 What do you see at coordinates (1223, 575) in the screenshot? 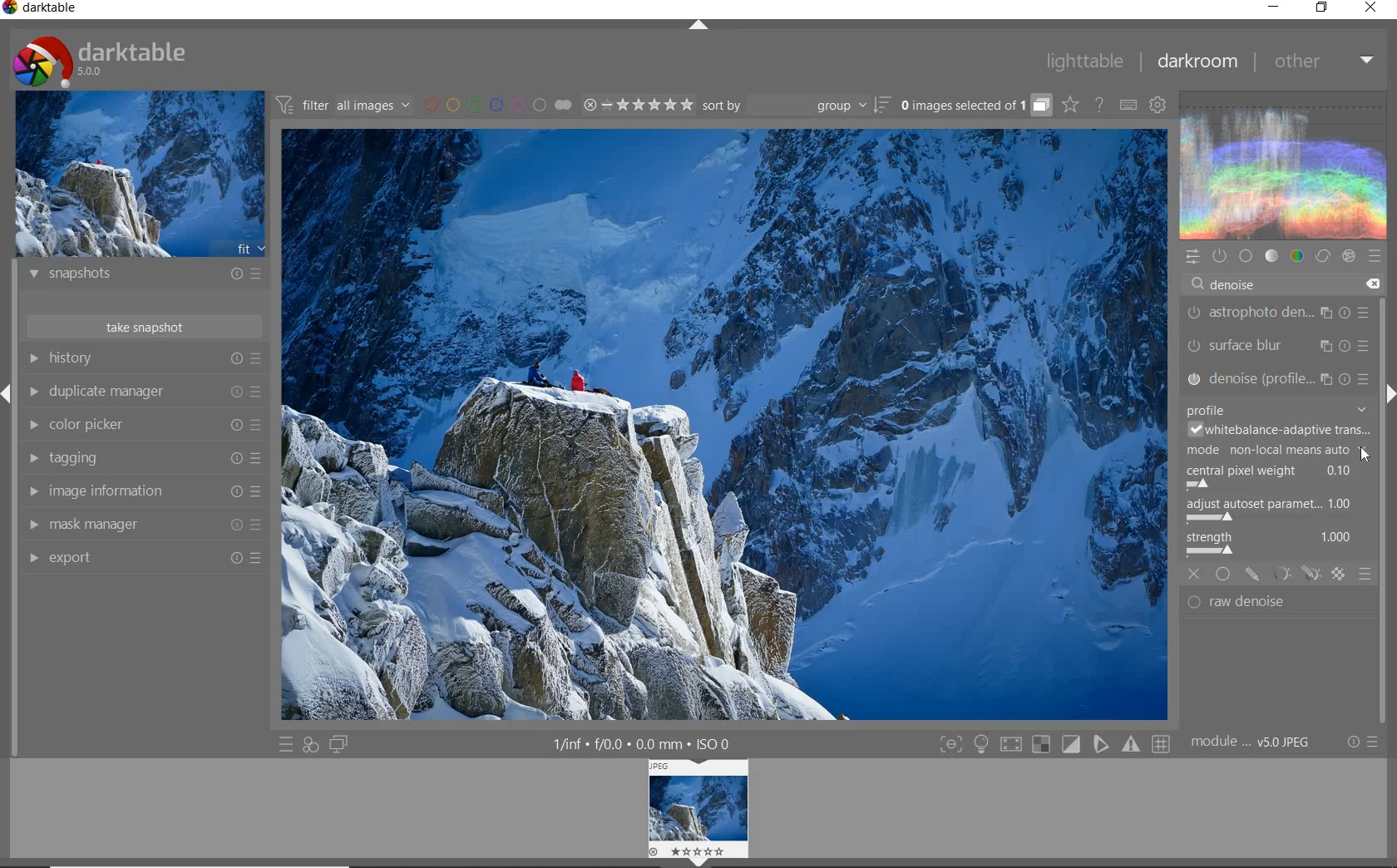
I see `UNIFORMLY` at bounding box center [1223, 575].